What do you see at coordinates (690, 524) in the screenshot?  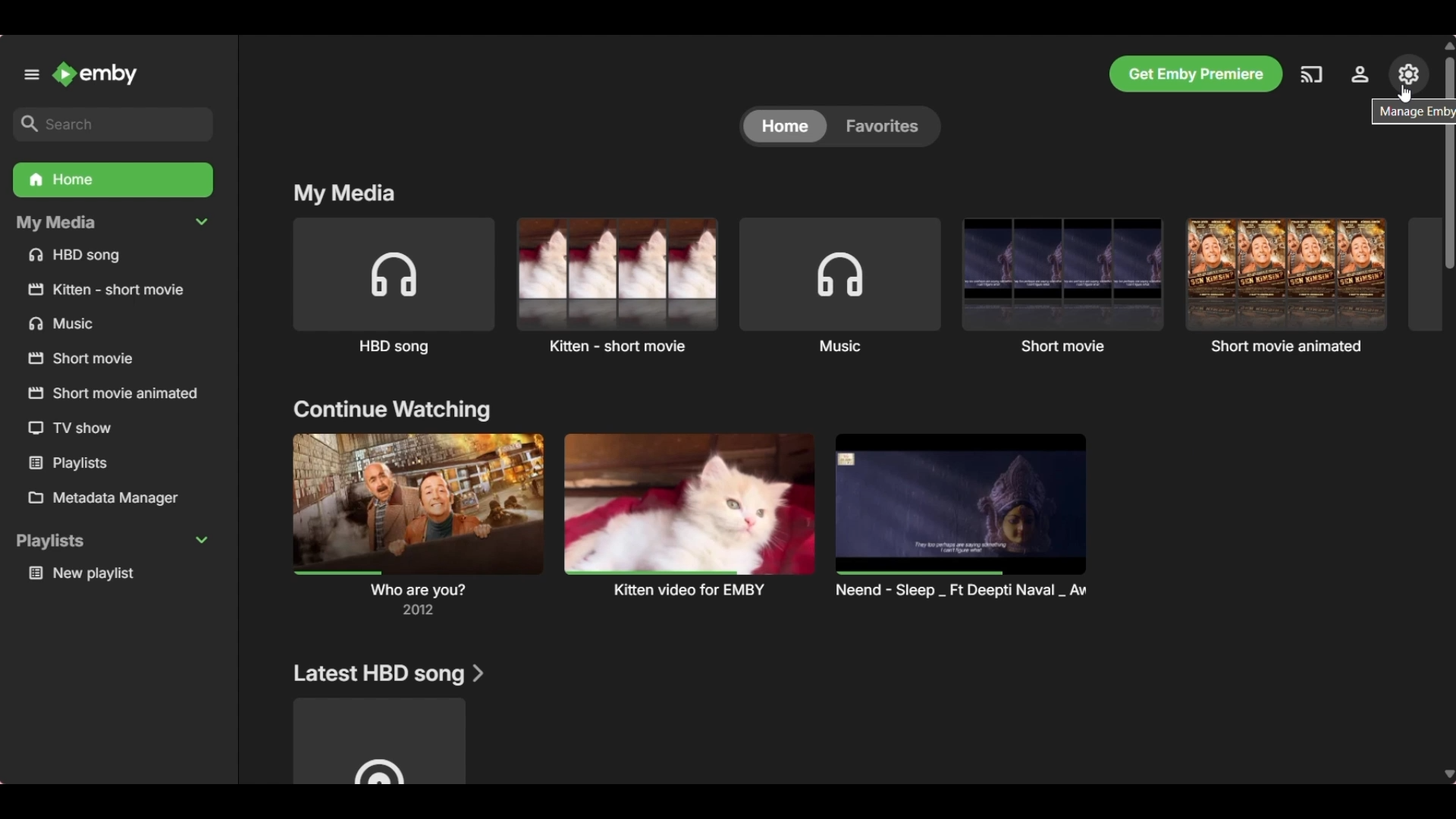 I see `Preview and title of media under above mentioned section` at bounding box center [690, 524].